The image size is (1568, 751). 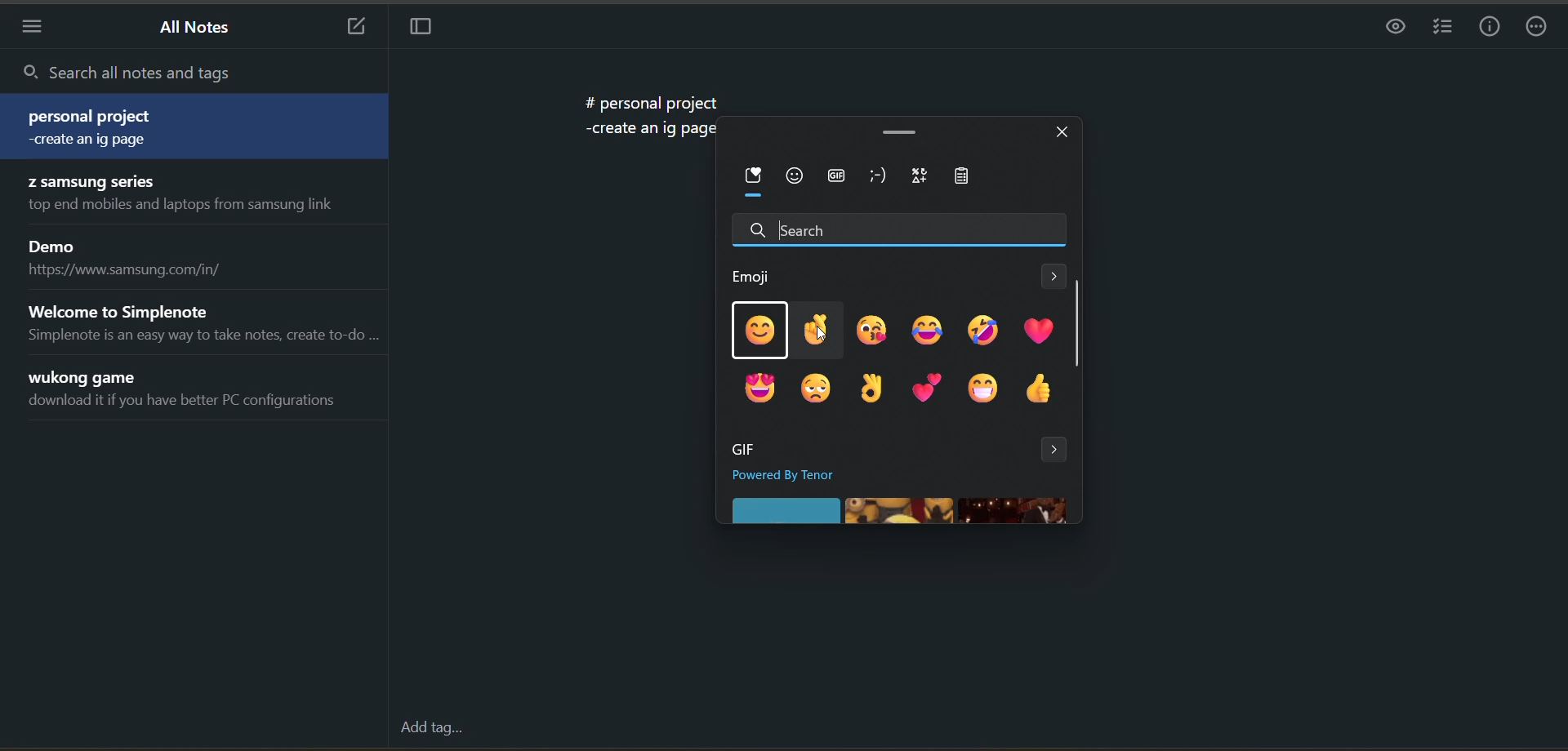 I want to click on symbols, so click(x=921, y=176).